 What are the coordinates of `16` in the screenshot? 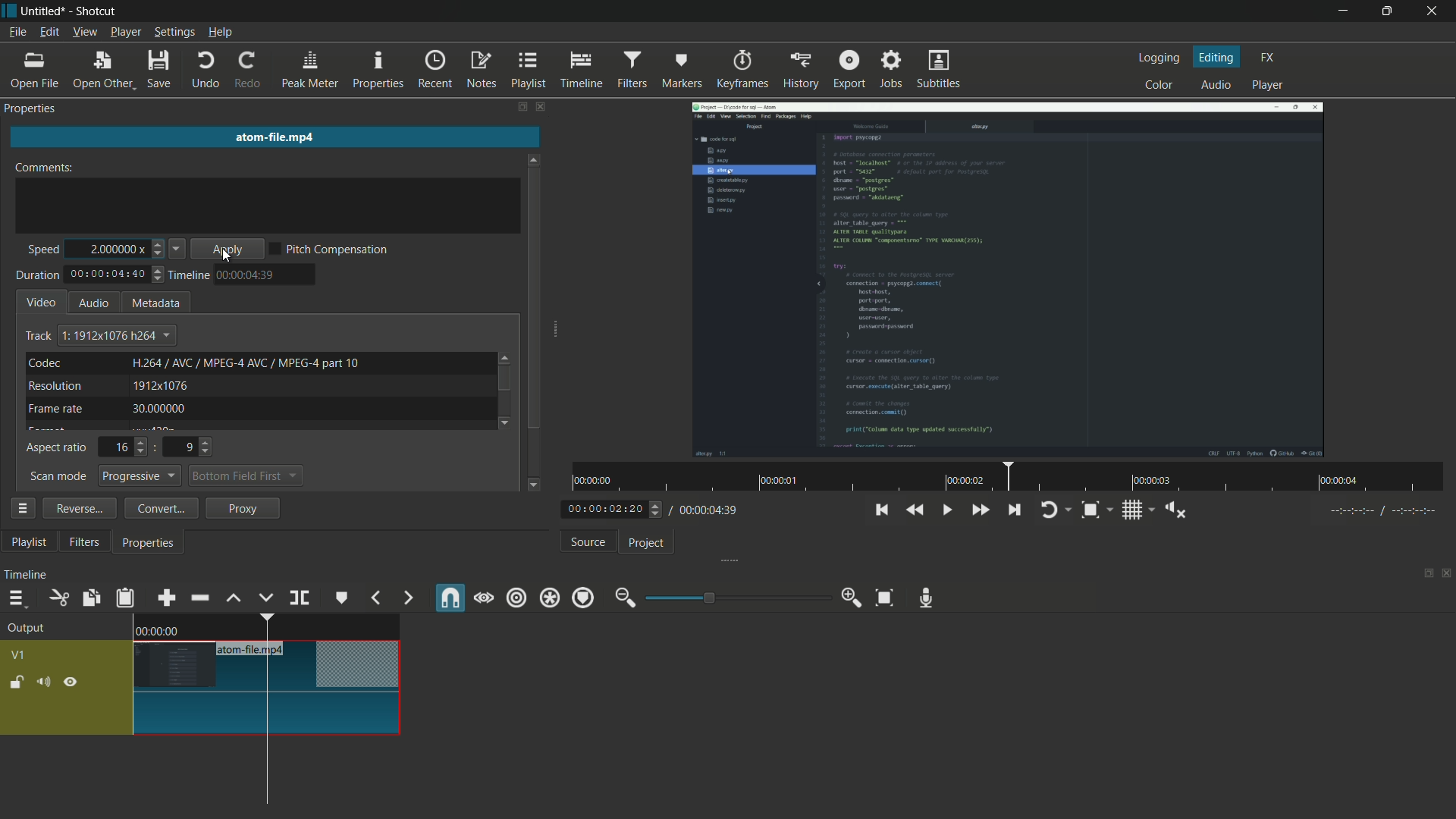 It's located at (121, 448).